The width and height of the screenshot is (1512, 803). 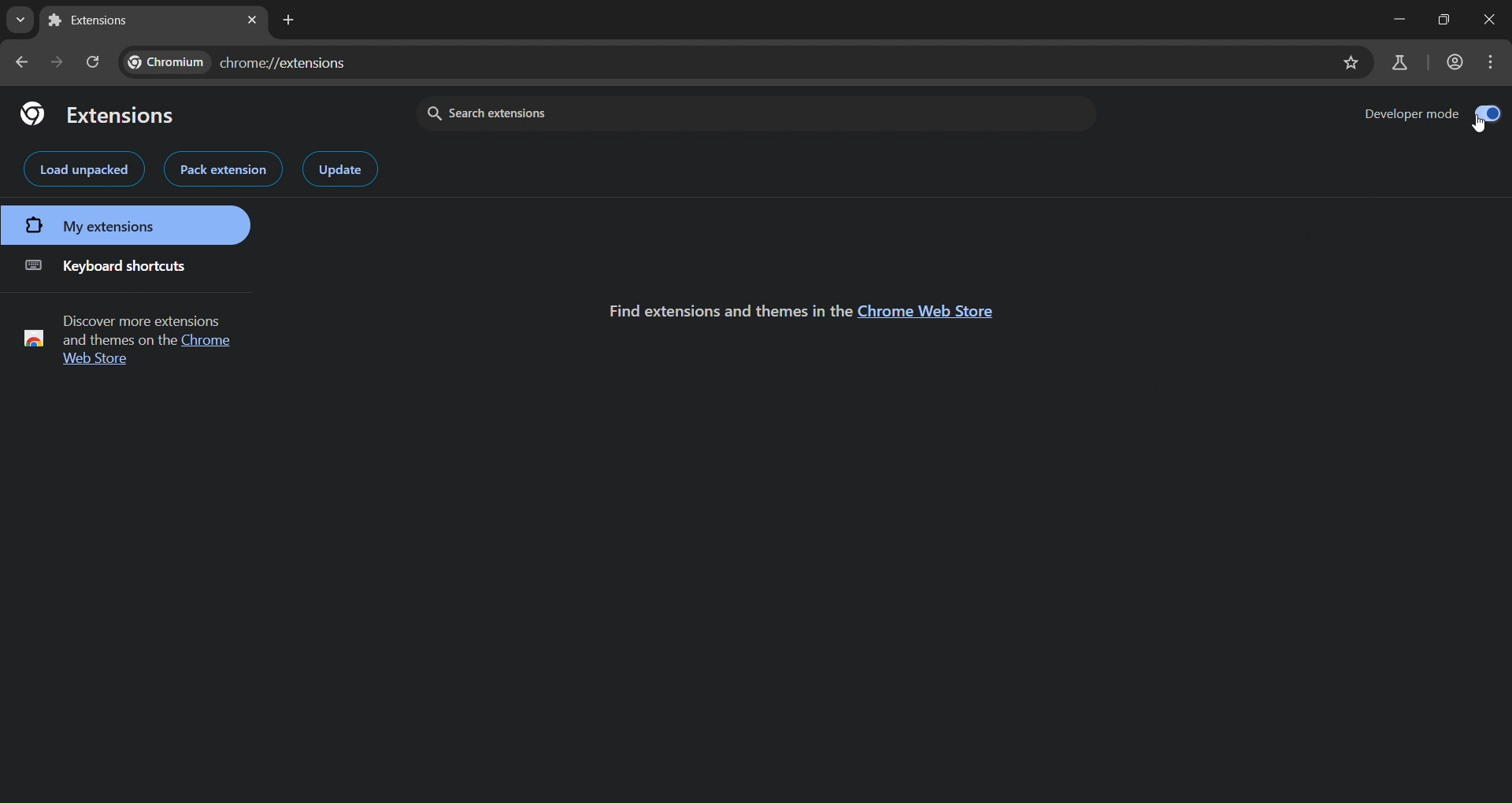 I want to click on go forward one page, so click(x=60, y=62).